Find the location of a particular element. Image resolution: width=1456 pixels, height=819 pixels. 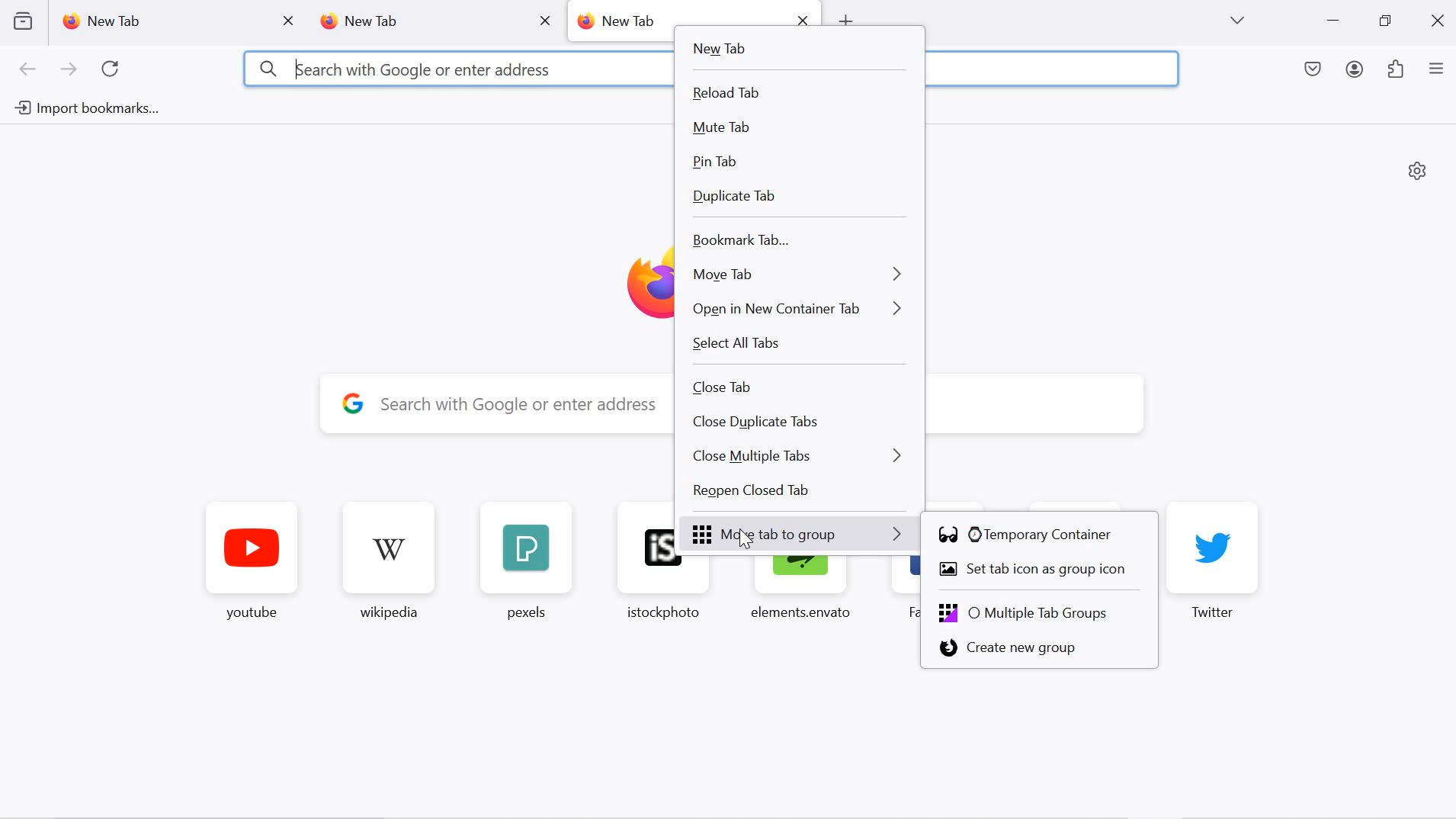

new tab is located at coordinates (413, 22).